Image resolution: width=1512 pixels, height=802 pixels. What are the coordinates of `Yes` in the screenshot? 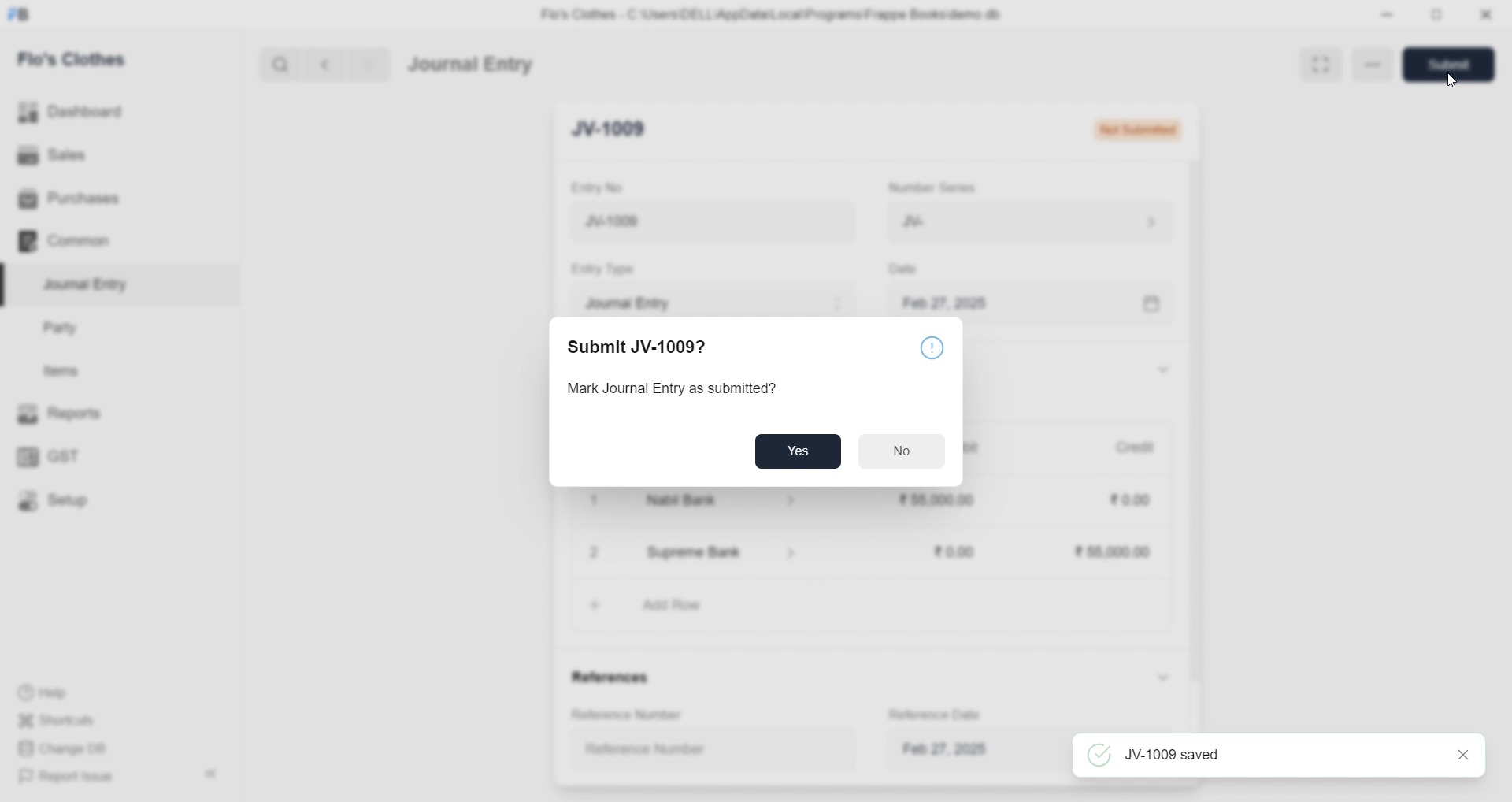 It's located at (800, 451).